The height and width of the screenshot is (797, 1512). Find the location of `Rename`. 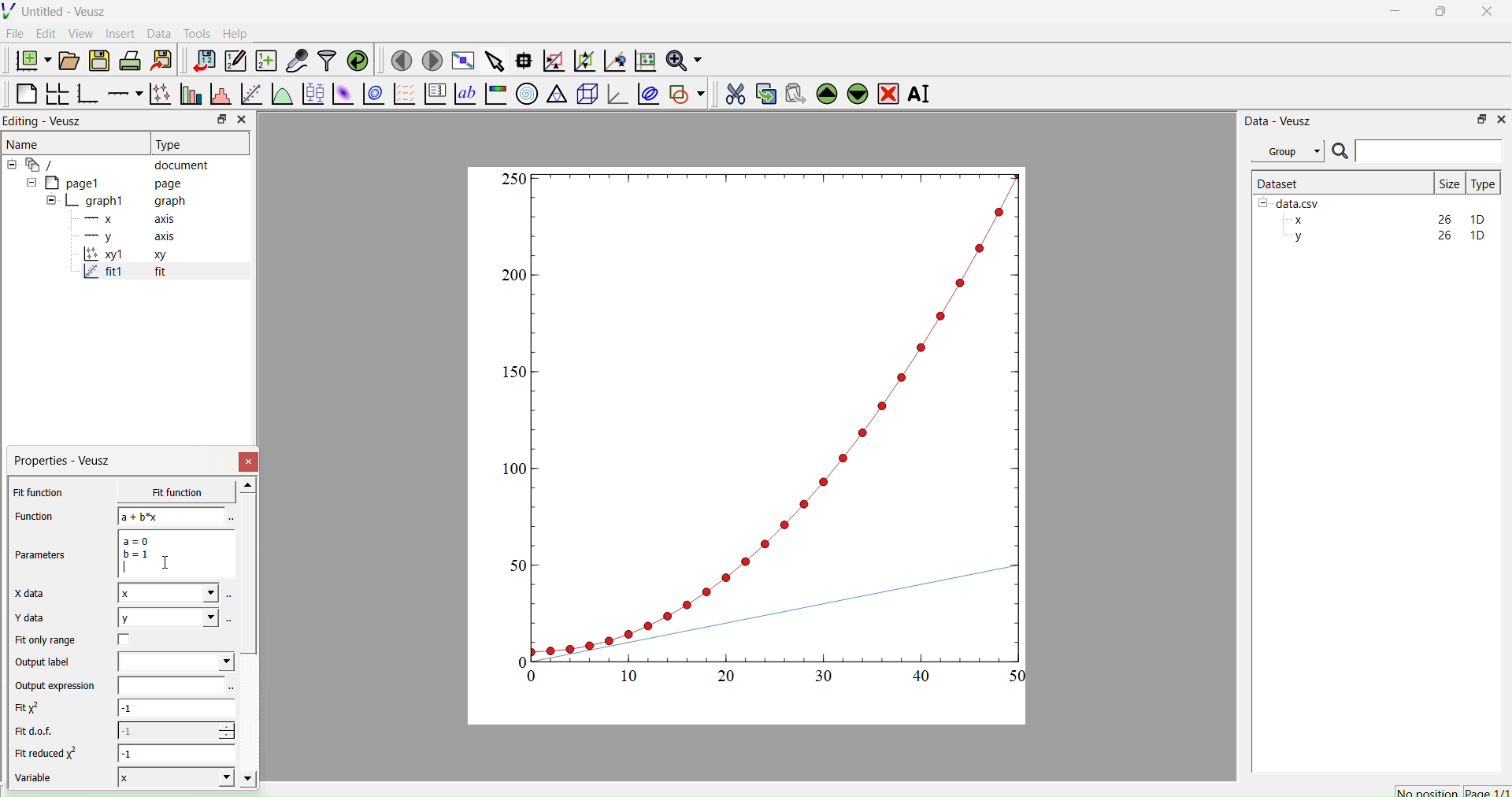

Rename is located at coordinates (922, 94).